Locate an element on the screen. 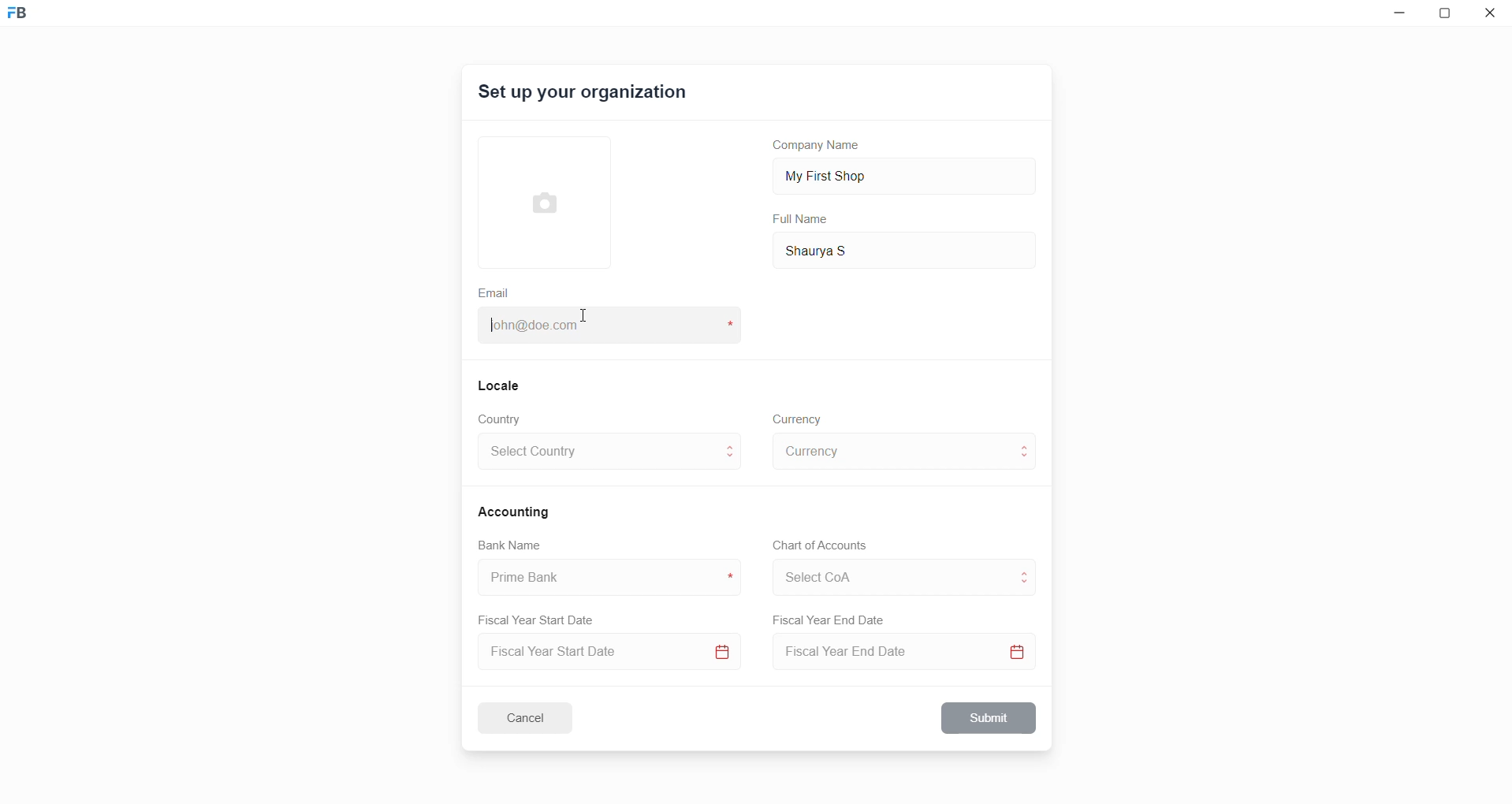 This screenshot has height=804, width=1512. move to above country is located at coordinates (733, 445).